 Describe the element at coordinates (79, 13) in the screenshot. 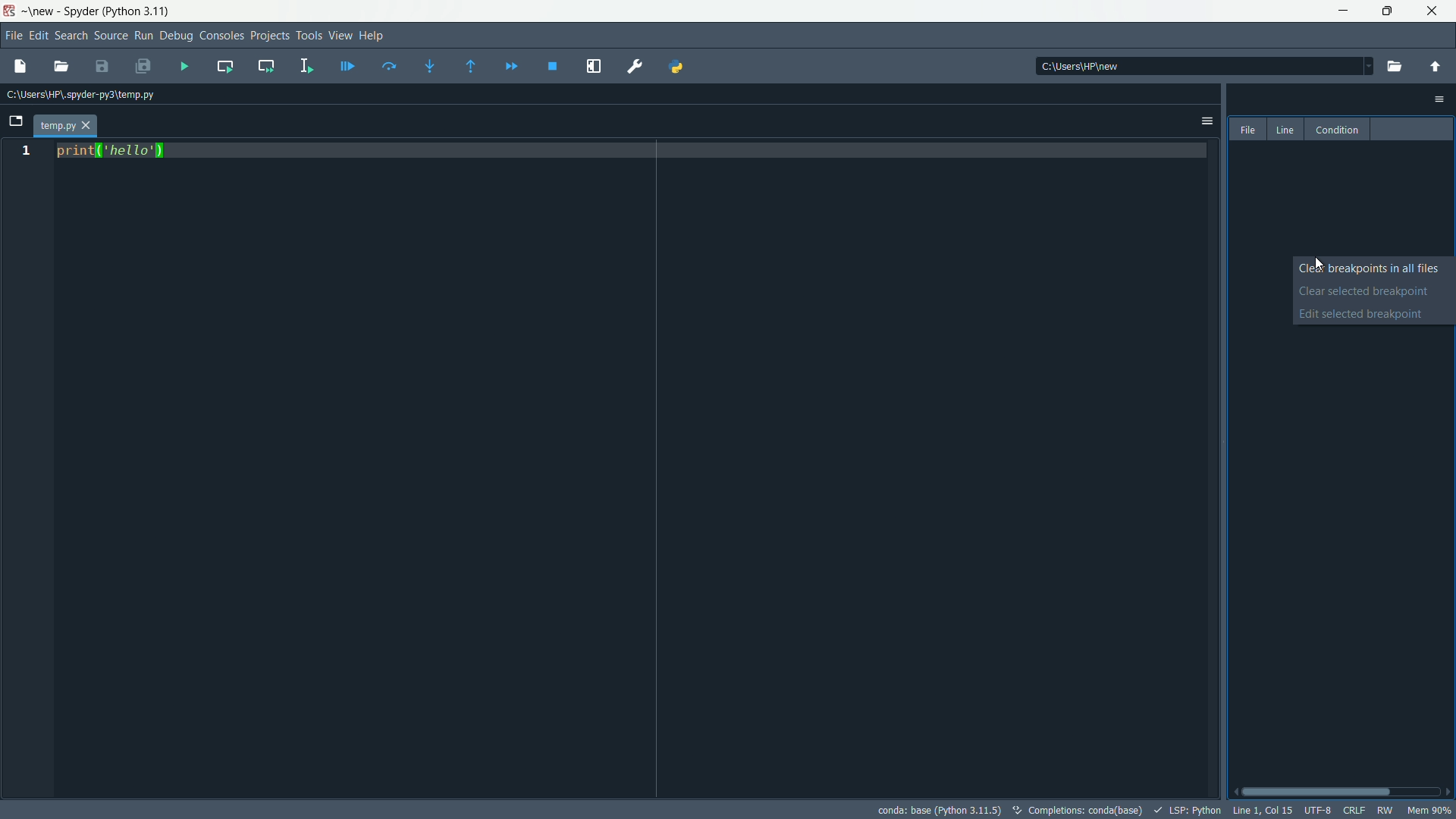

I see `Spyder` at that location.